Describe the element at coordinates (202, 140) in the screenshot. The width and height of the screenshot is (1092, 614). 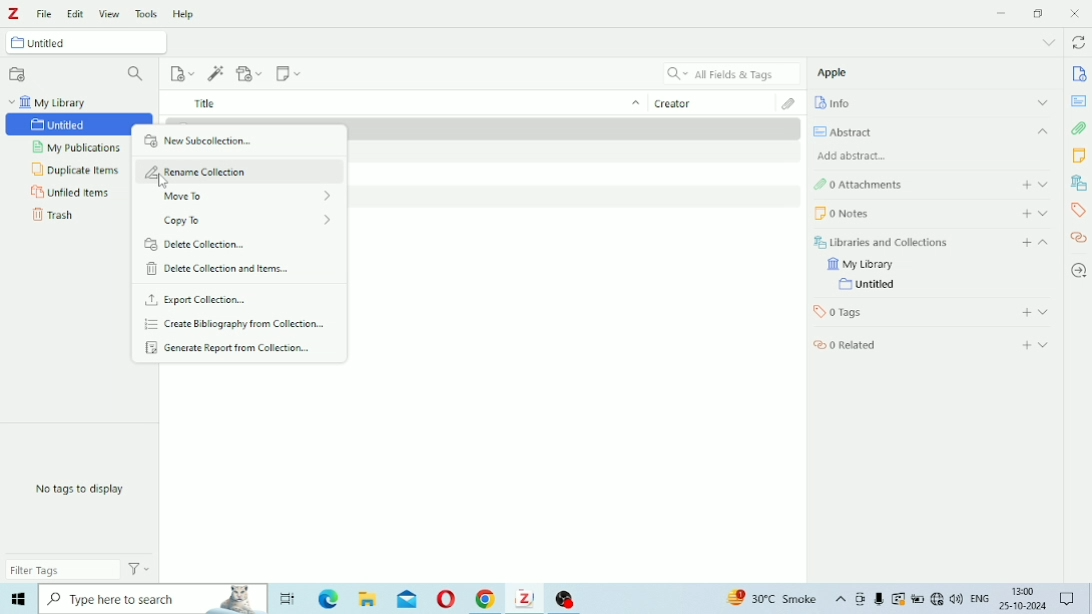
I see `New Subcollection...` at that location.